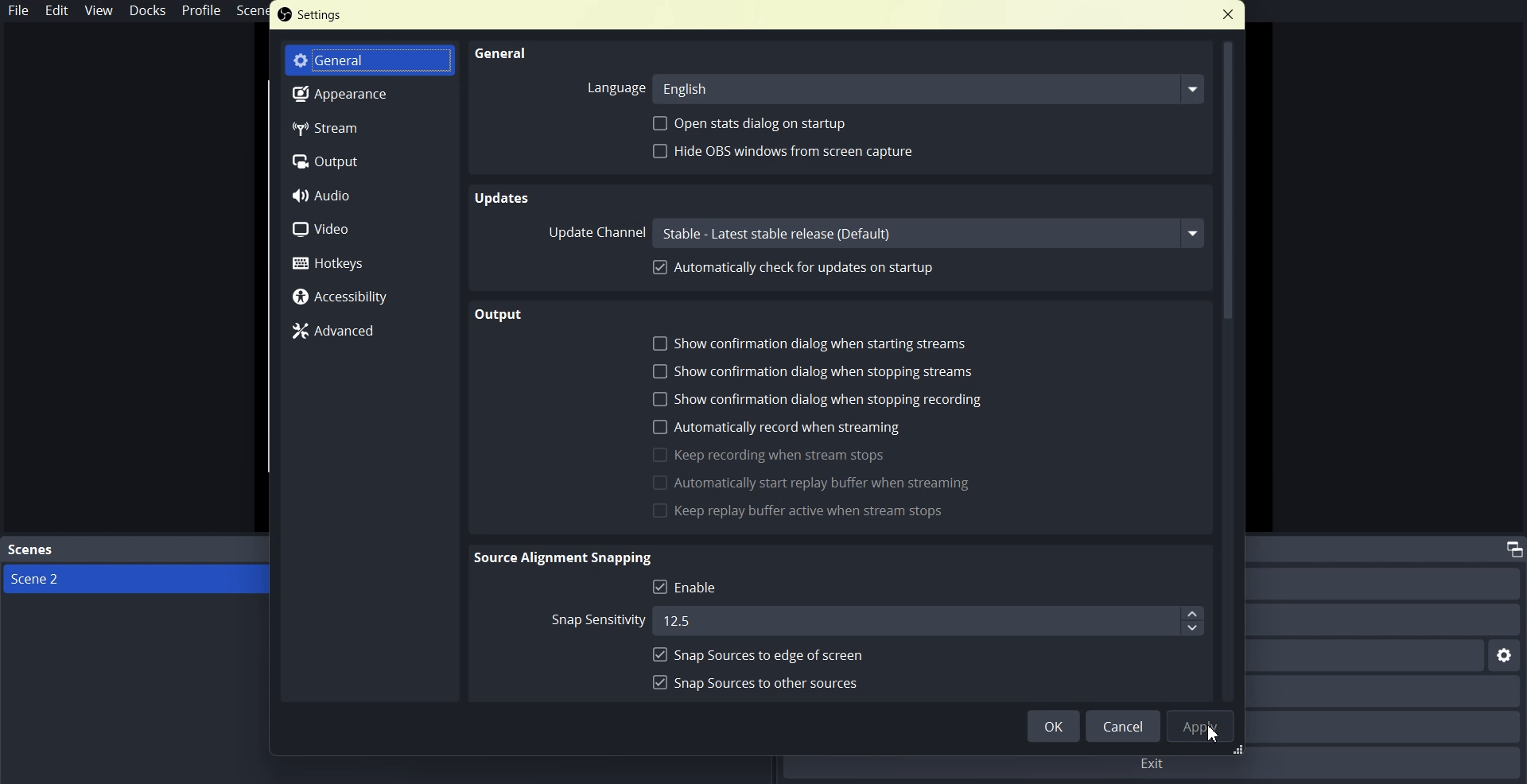 The height and width of the screenshot is (784, 1527). I want to click on Appearance, so click(371, 95).